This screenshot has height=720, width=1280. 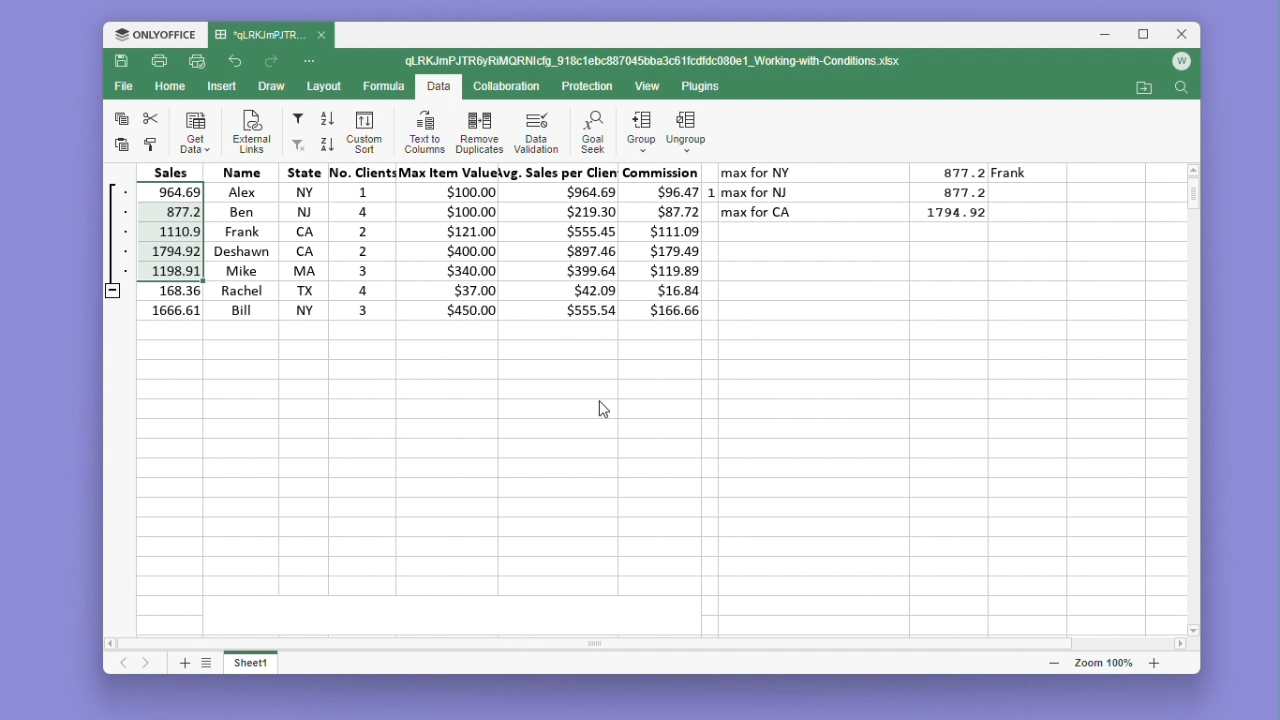 I want to click on Maximize, so click(x=1148, y=35).